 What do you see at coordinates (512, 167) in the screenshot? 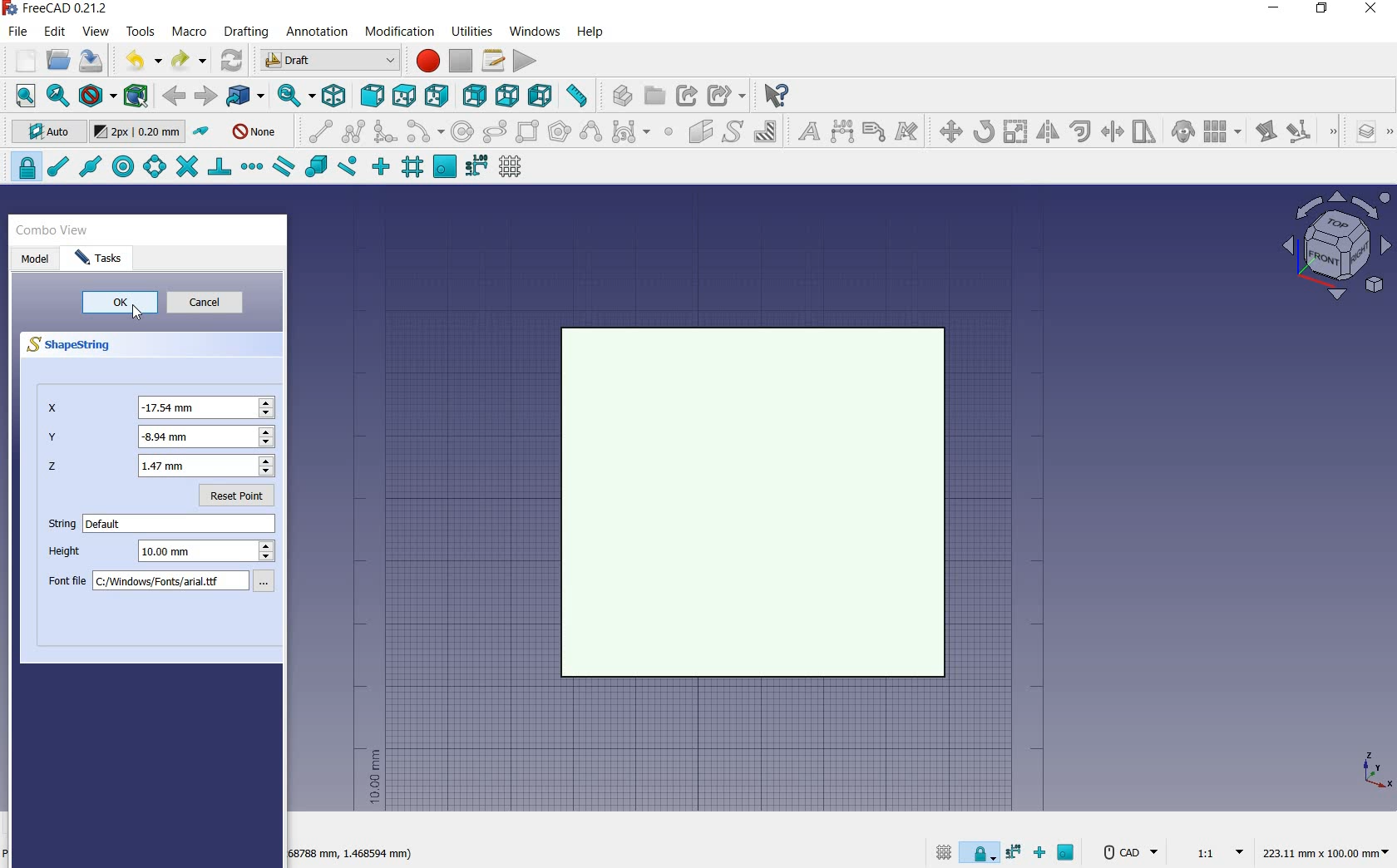
I see `toggle grid` at bounding box center [512, 167].